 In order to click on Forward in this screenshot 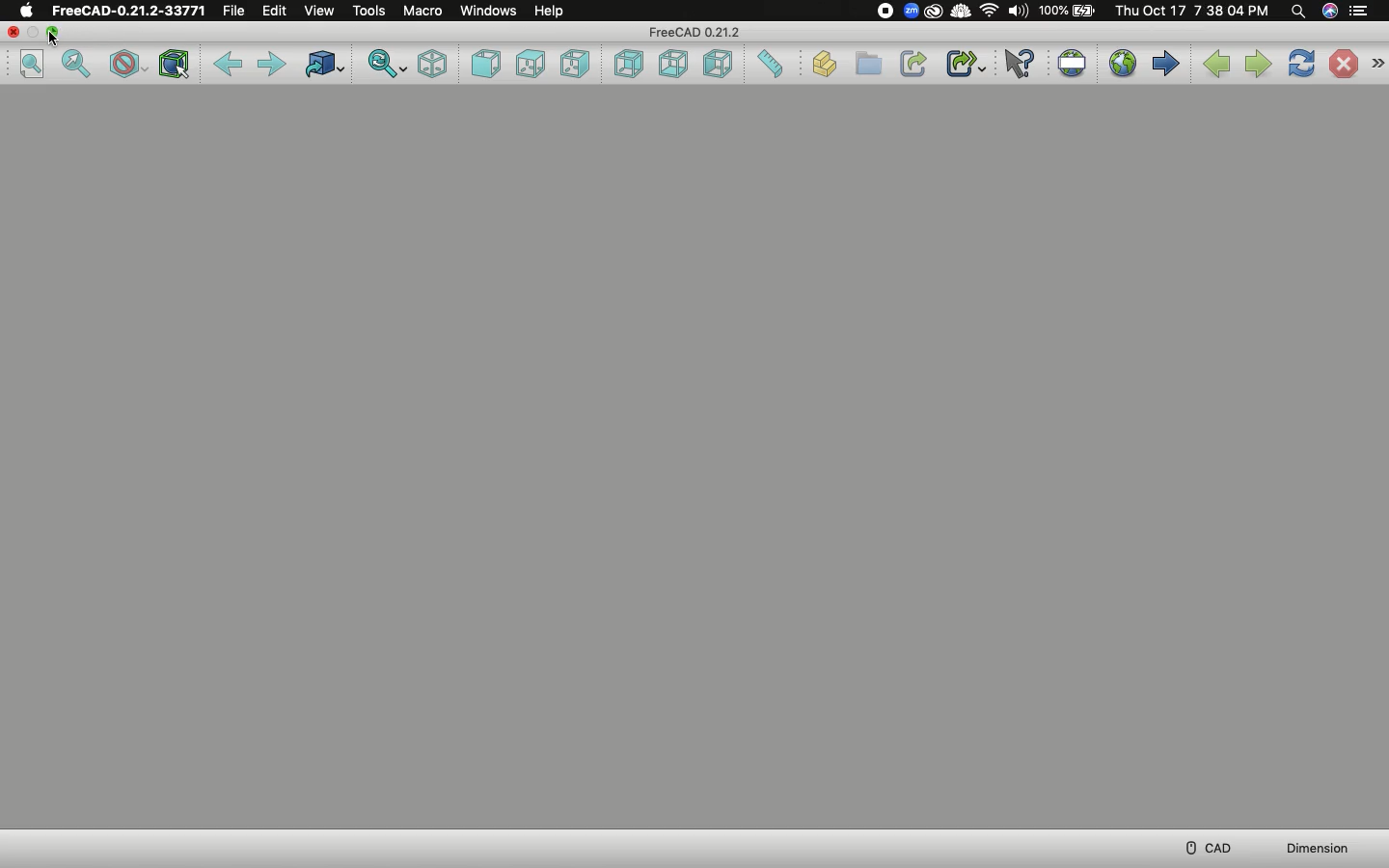, I will do `click(271, 65)`.